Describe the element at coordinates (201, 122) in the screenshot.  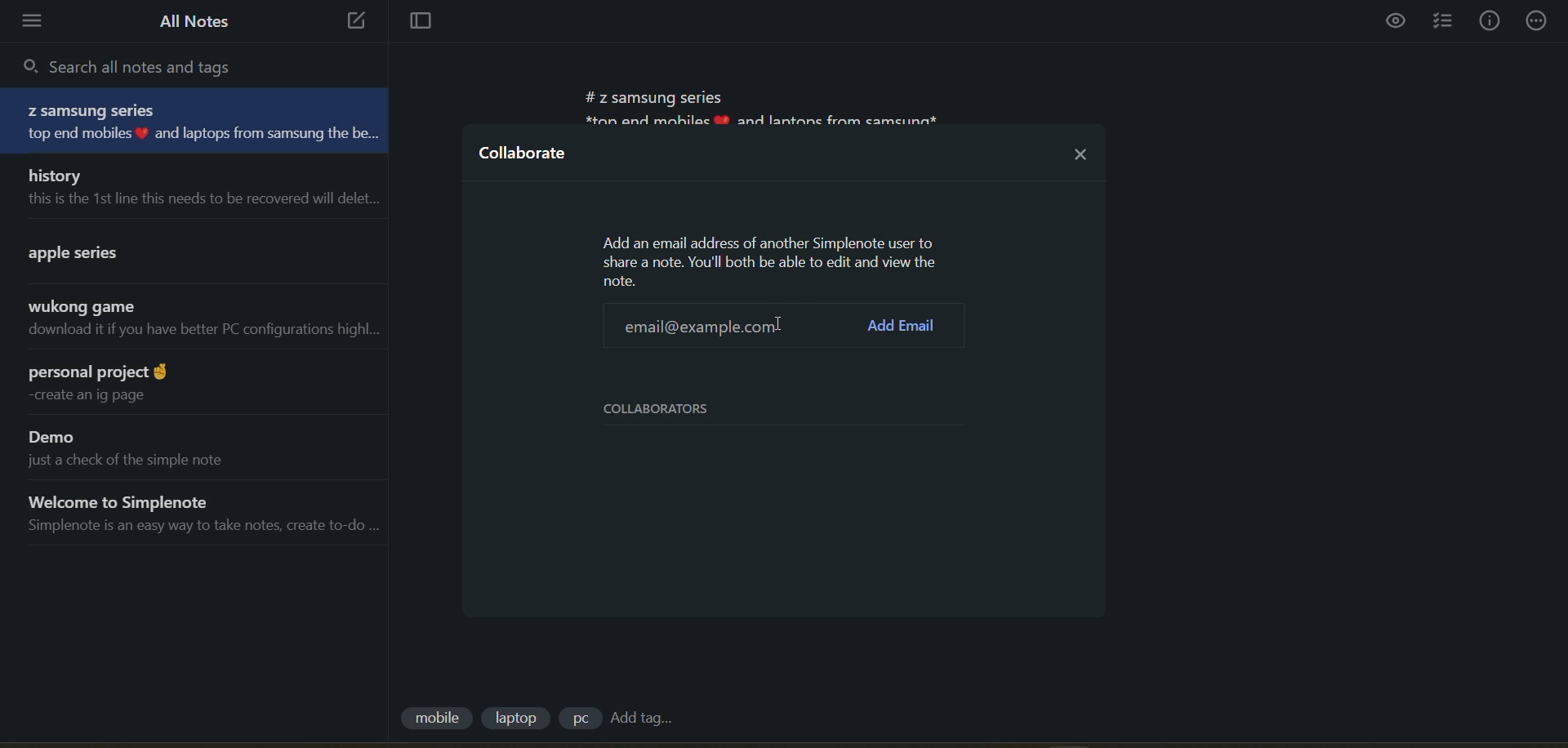
I see `note title and preview` at that location.